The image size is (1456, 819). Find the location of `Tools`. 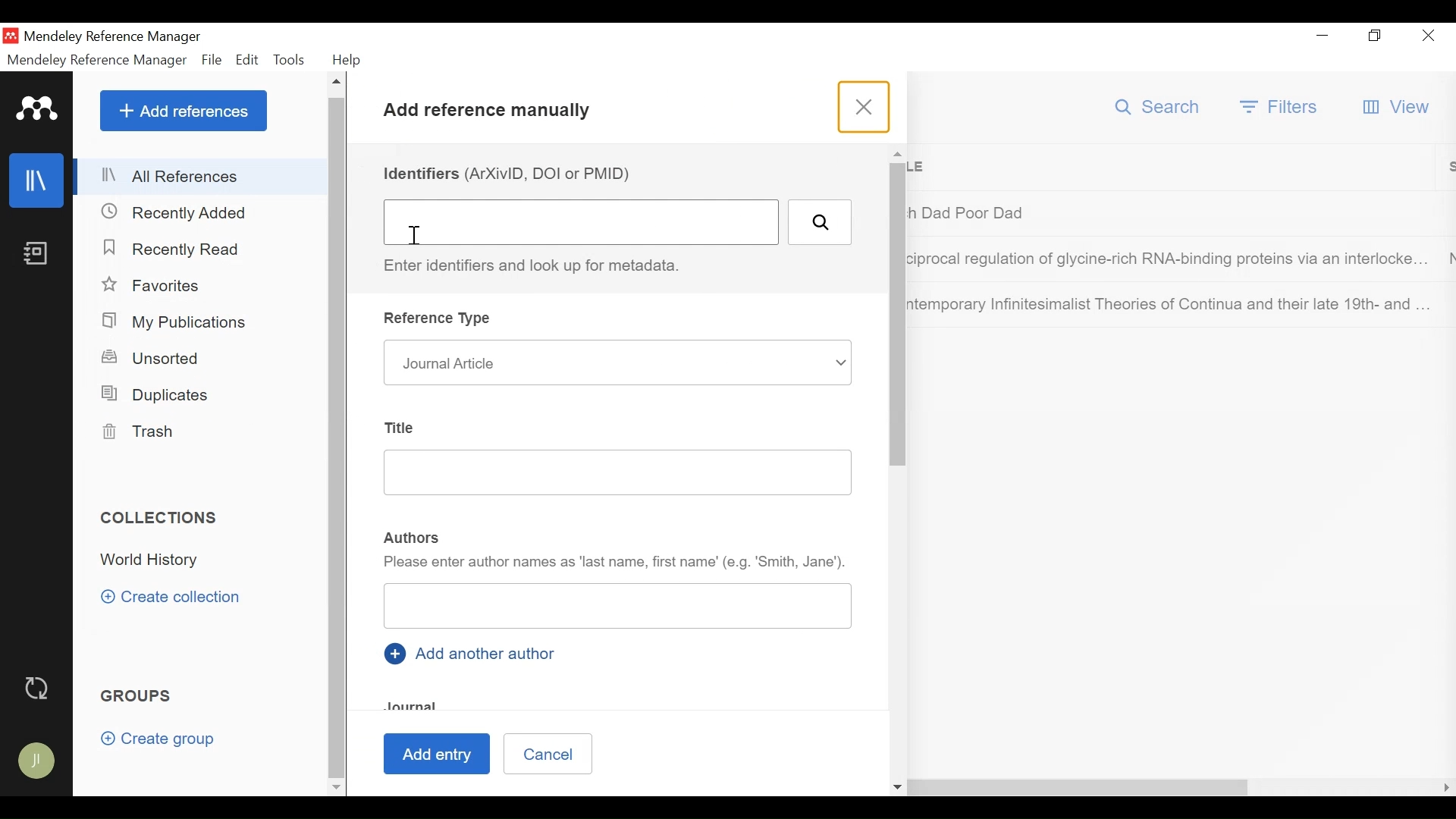

Tools is located at coordinates (290, 58).